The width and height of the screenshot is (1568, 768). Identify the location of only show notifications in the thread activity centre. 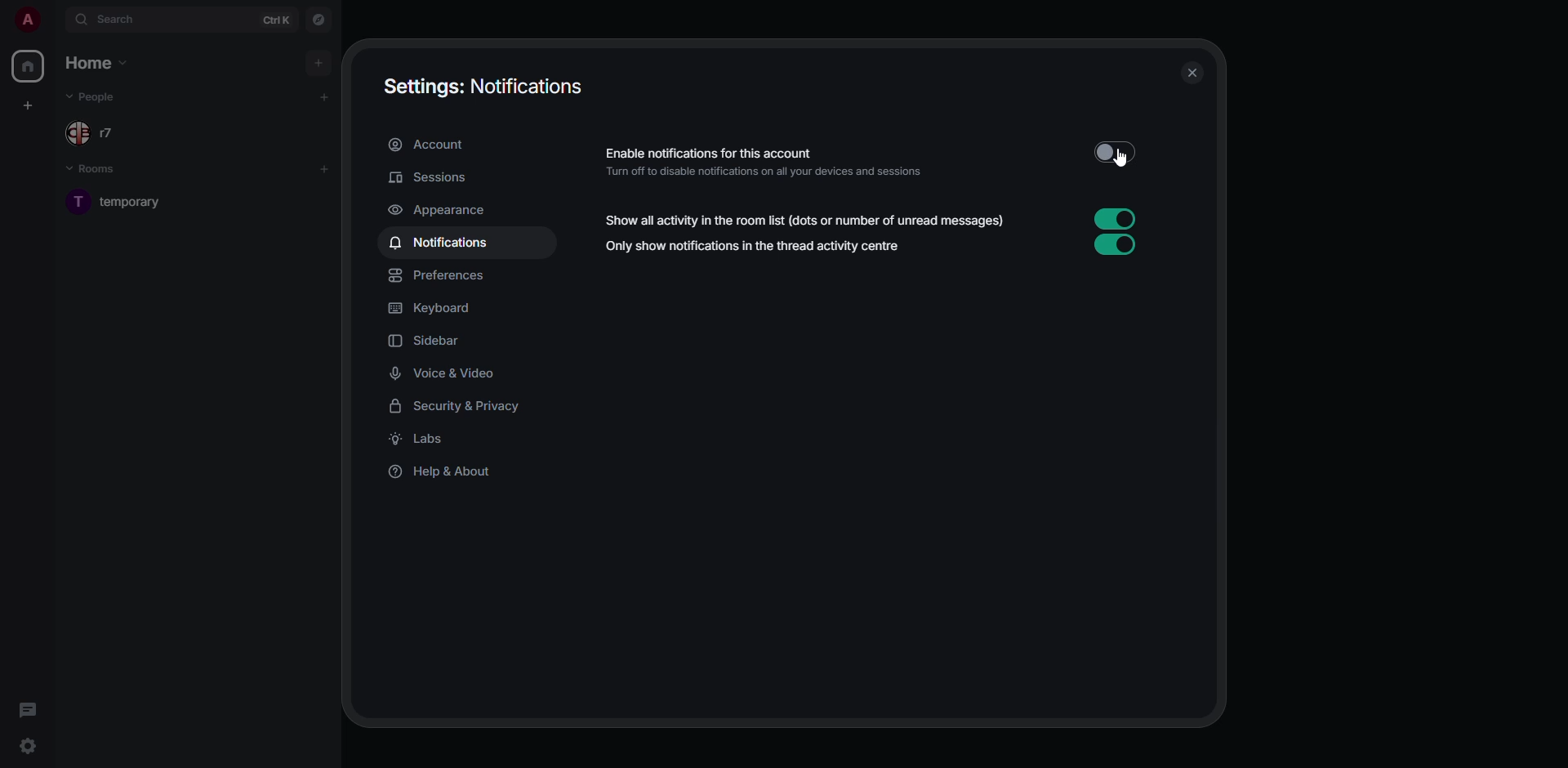
(755, 246).